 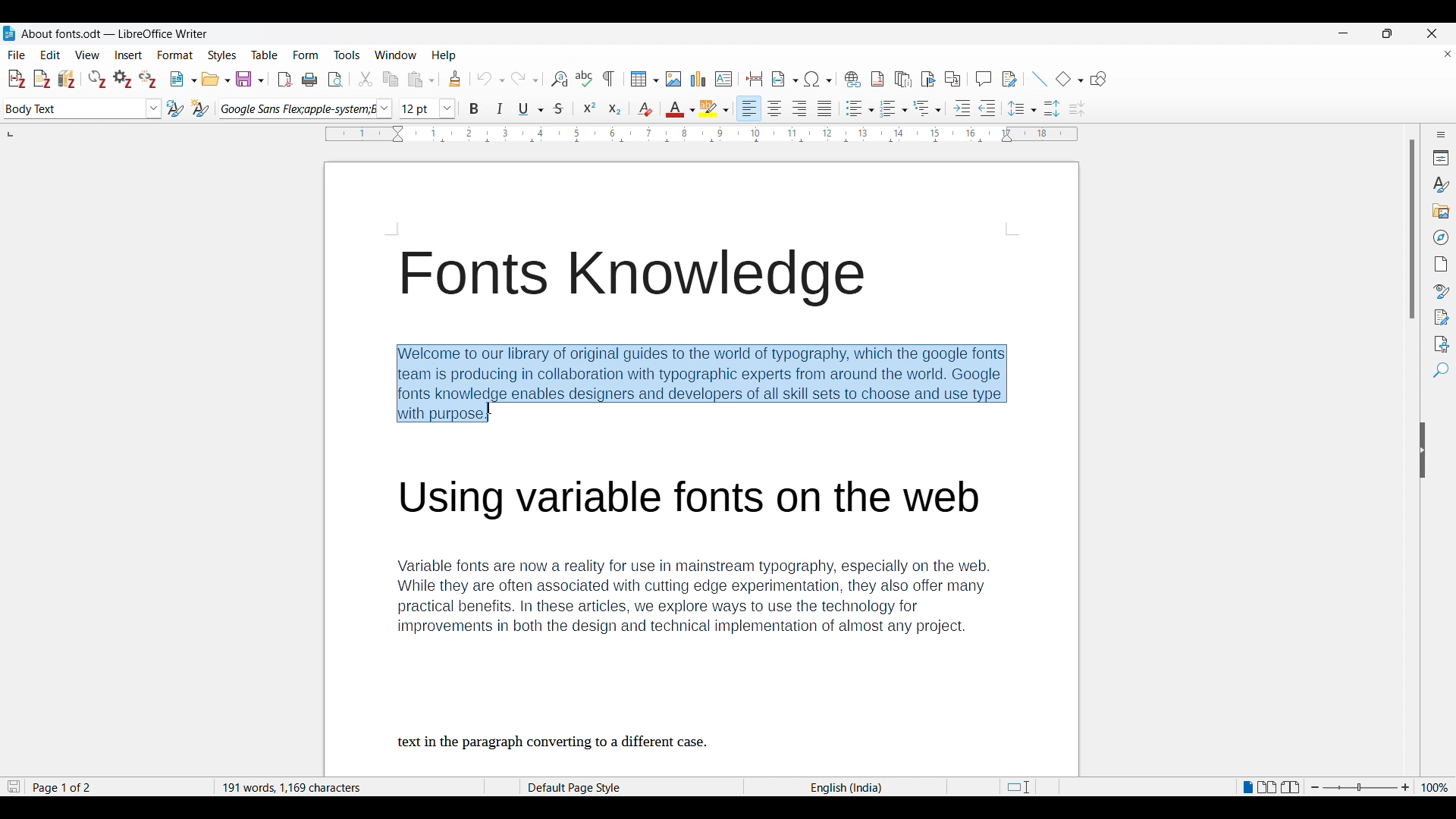 What do you see at coordinates (1442, 345) in the screenshot?
I see `Accessibility check` at bounding box center [1442, 345].